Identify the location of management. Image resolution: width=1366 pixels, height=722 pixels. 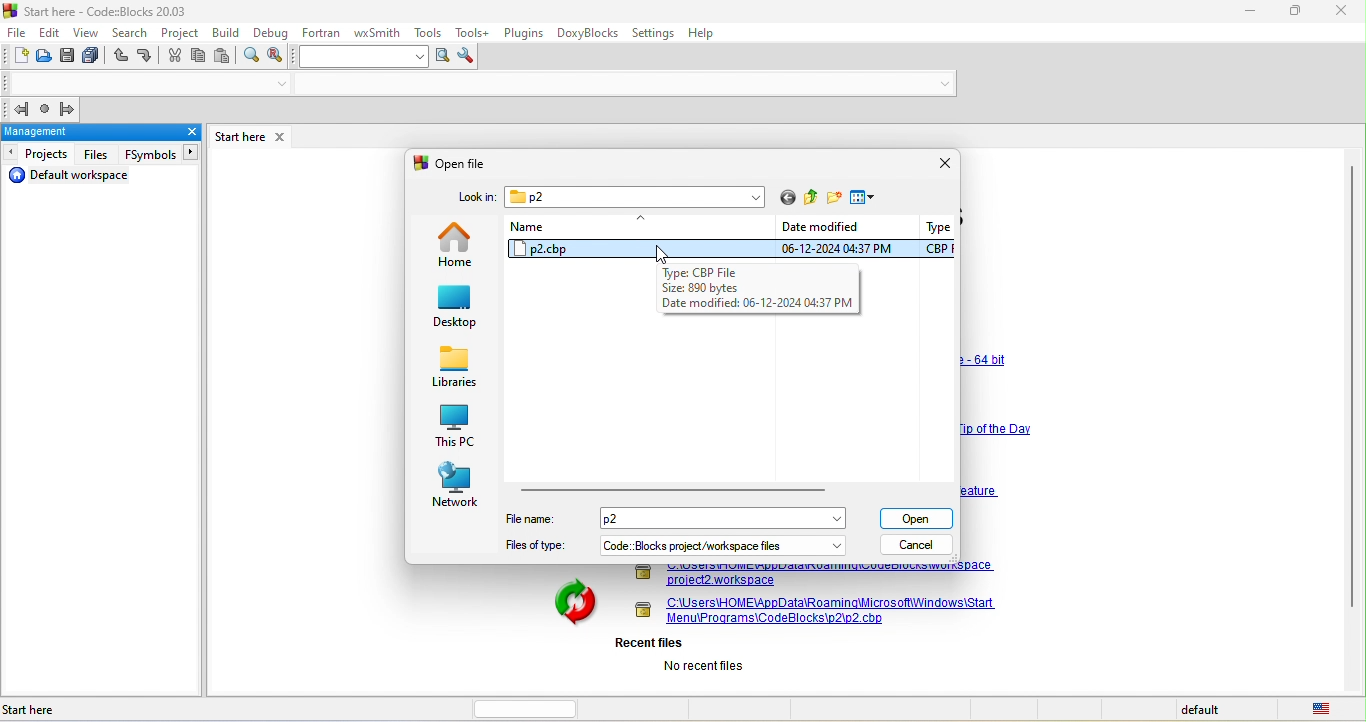
(83, 132).